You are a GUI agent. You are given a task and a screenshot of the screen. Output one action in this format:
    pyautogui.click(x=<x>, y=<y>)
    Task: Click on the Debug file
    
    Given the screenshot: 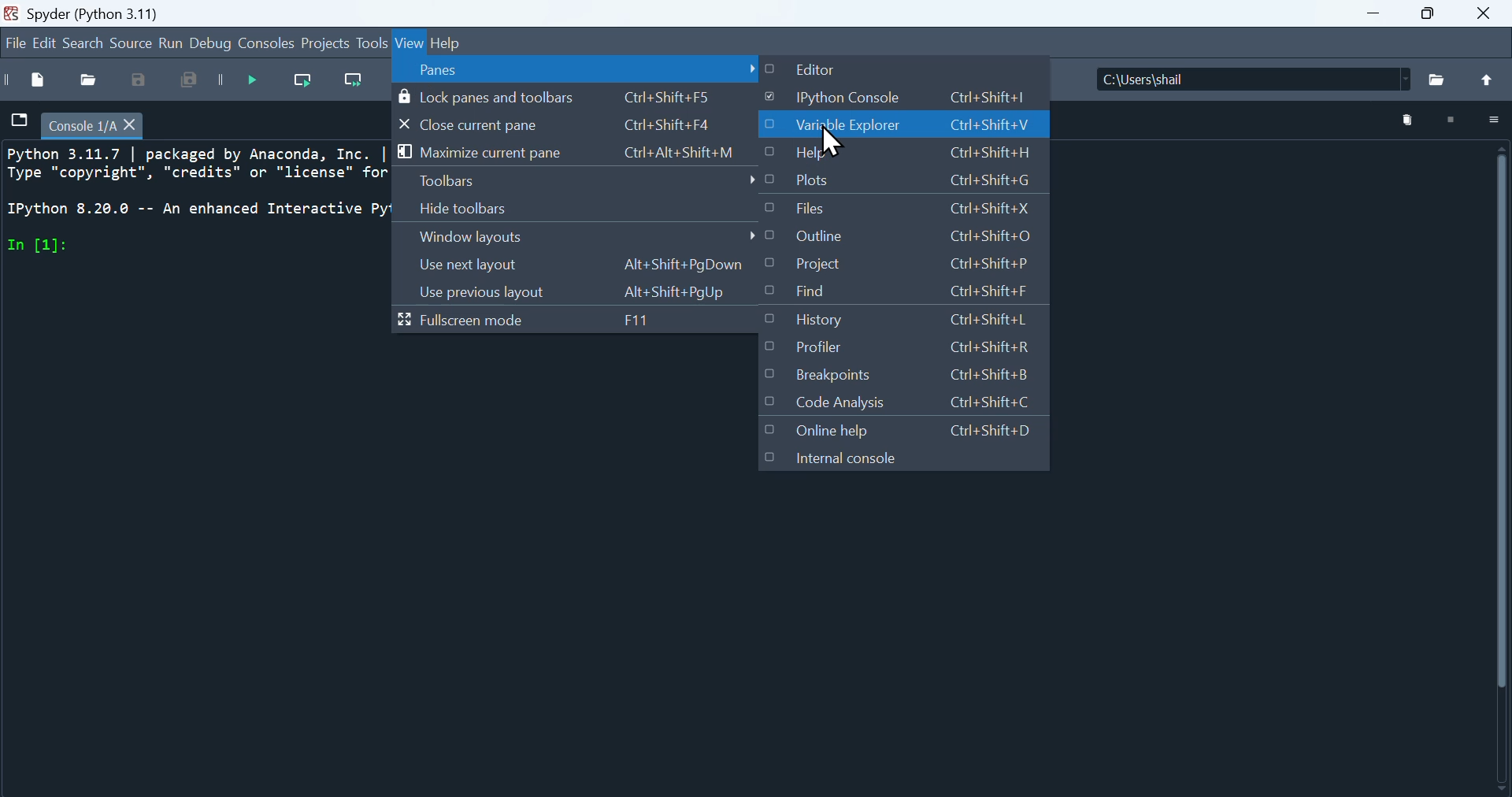 What is the action you would take?
    pyautogui.click(x=259, y=83)
    